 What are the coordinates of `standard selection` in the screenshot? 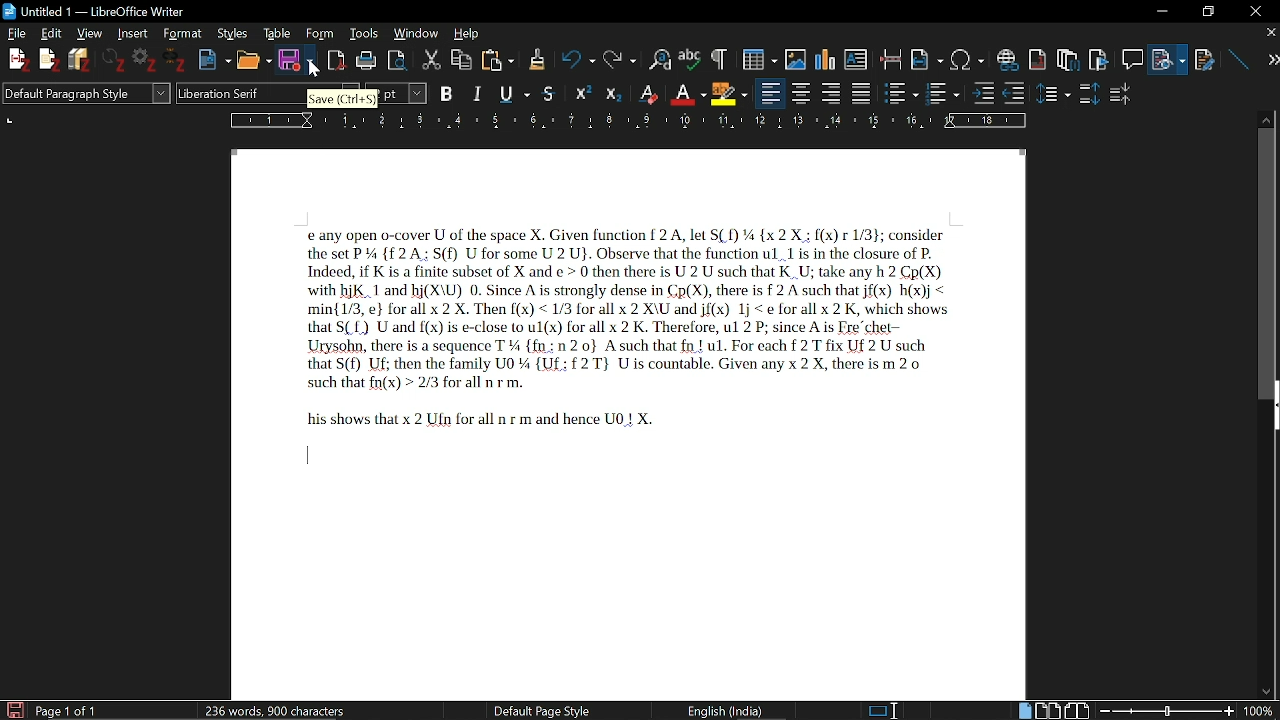 It's located at (884, 710).